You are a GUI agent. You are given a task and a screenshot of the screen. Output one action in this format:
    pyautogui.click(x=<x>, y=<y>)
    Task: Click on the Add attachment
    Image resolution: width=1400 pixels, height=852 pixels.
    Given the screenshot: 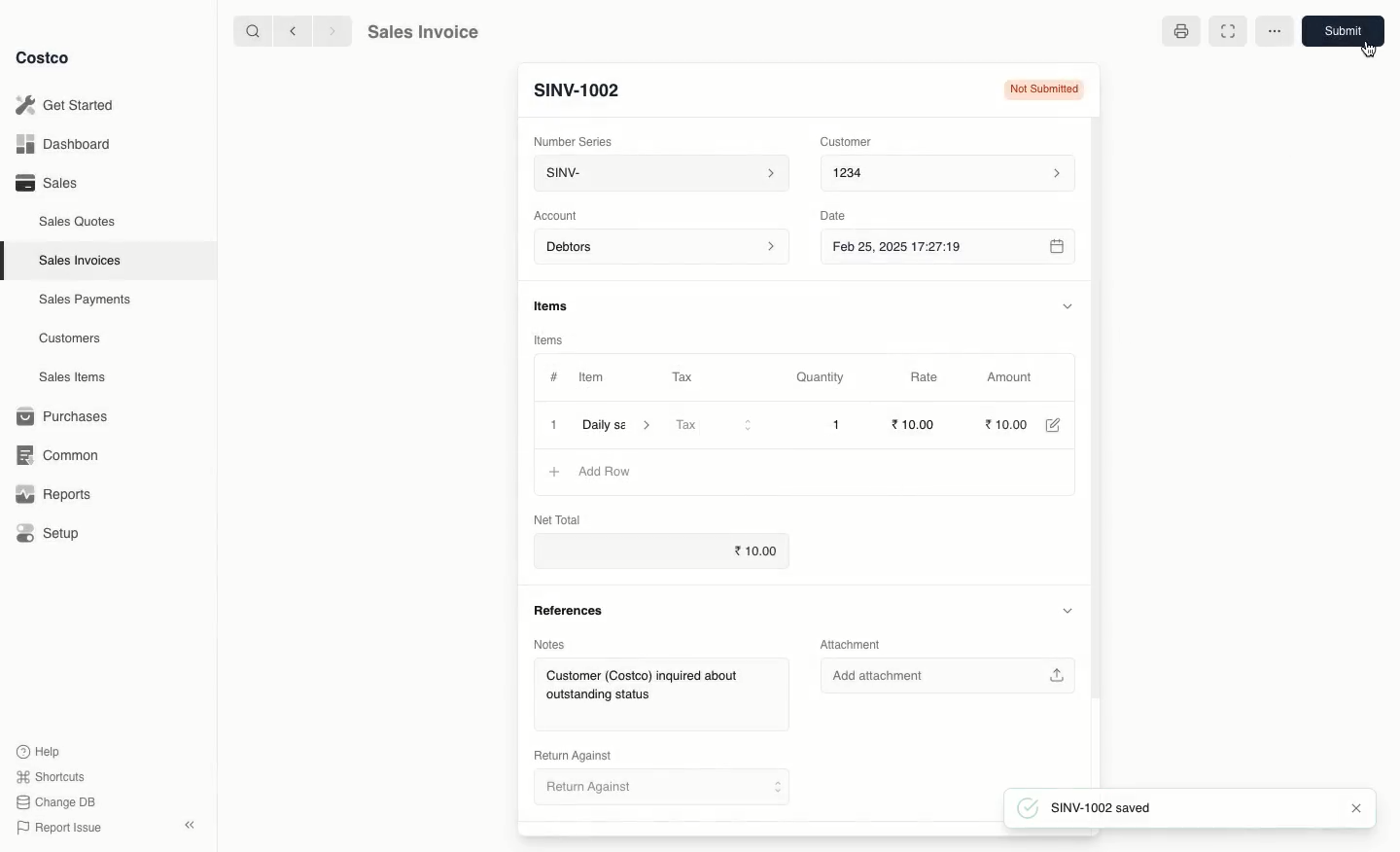 What is the action you would take?
    pyautogui.click(x=949, y=675)
    